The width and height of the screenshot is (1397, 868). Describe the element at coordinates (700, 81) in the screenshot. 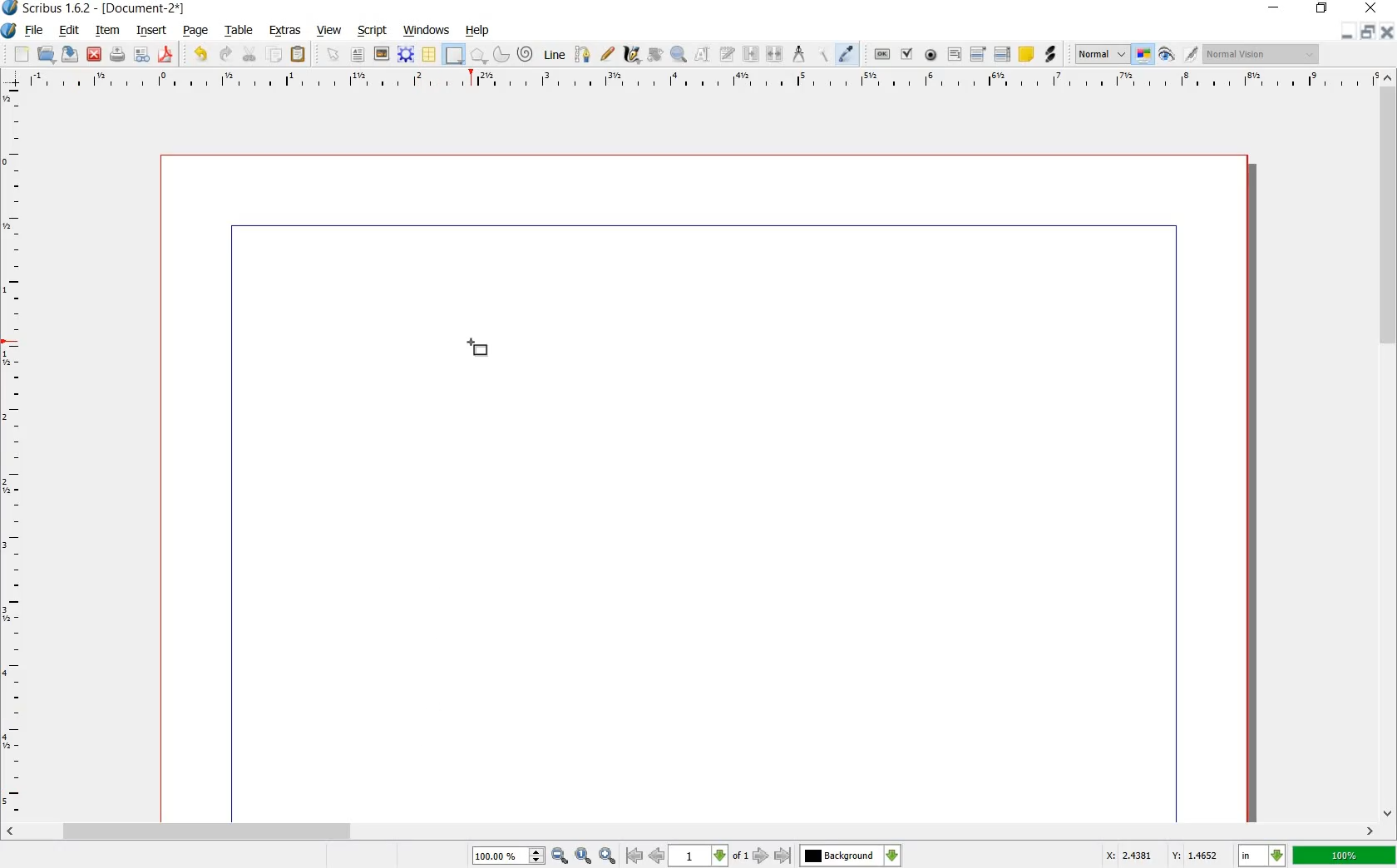

I see `RULER` at that location.